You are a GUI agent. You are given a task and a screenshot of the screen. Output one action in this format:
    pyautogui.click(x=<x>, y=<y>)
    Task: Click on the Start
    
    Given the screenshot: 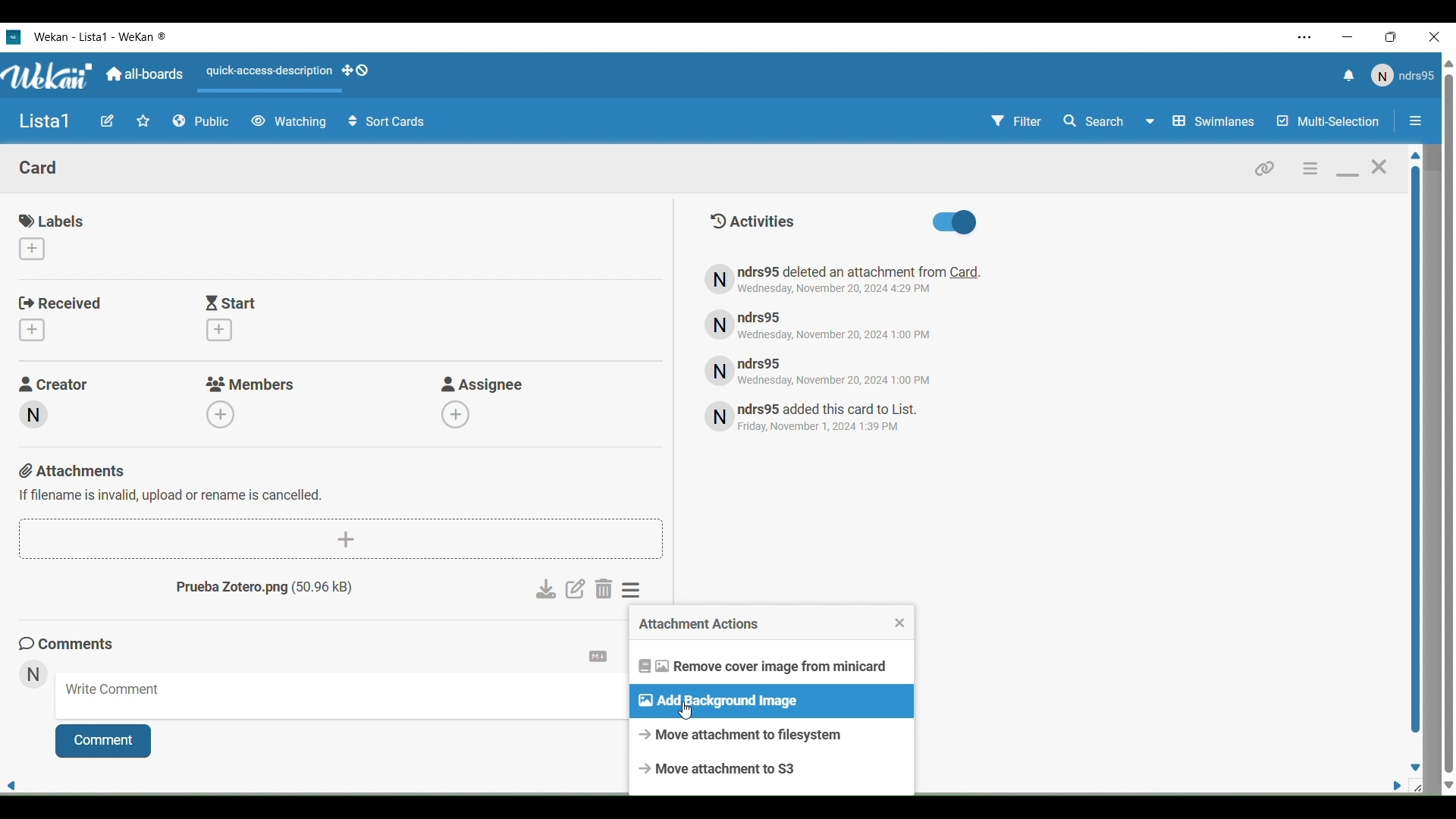 What is the action you would take?
    pyautogui.click(x=234, y=303)
    